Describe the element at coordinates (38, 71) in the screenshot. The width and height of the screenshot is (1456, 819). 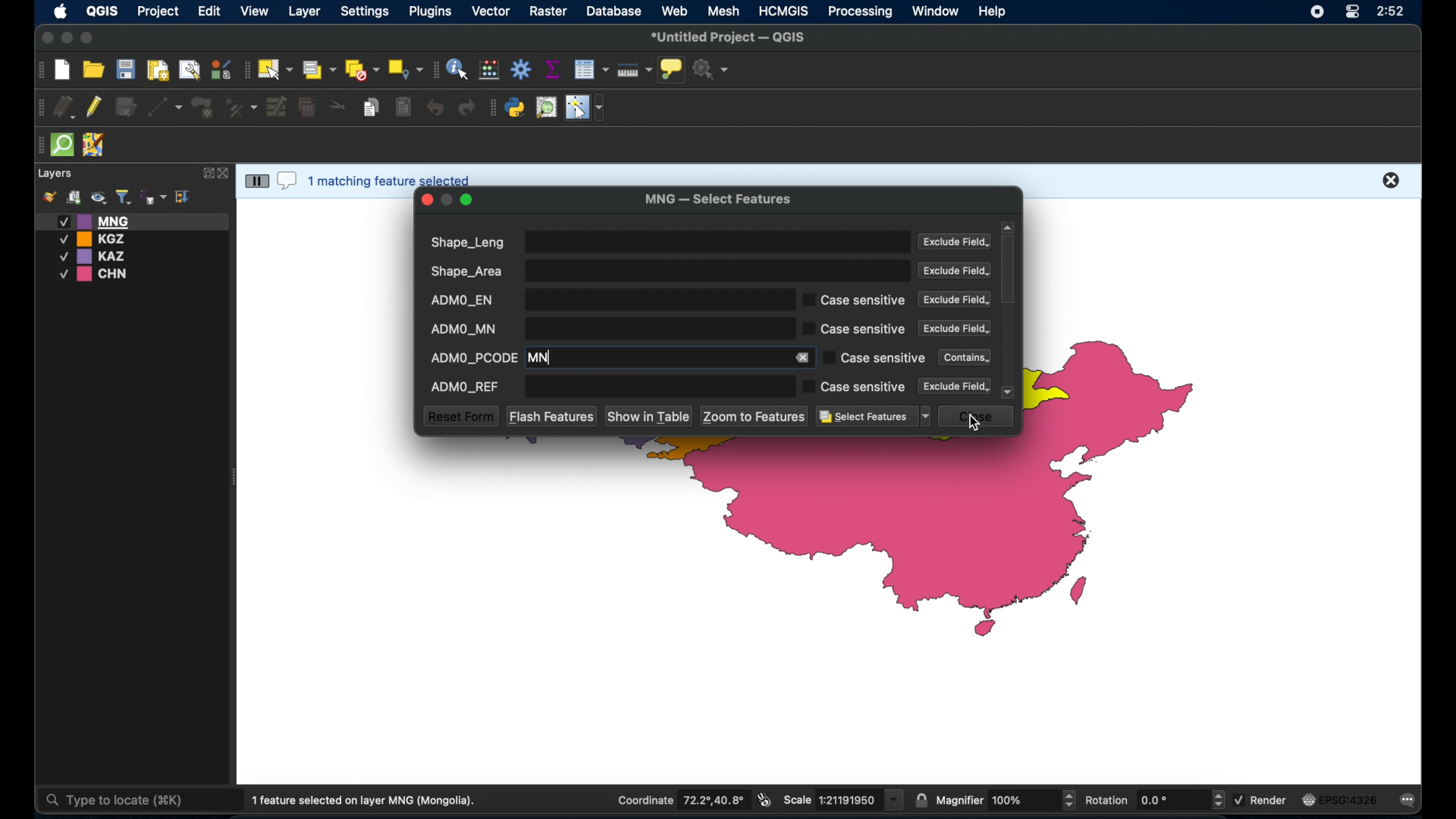
I see `project toolbar` at that location.